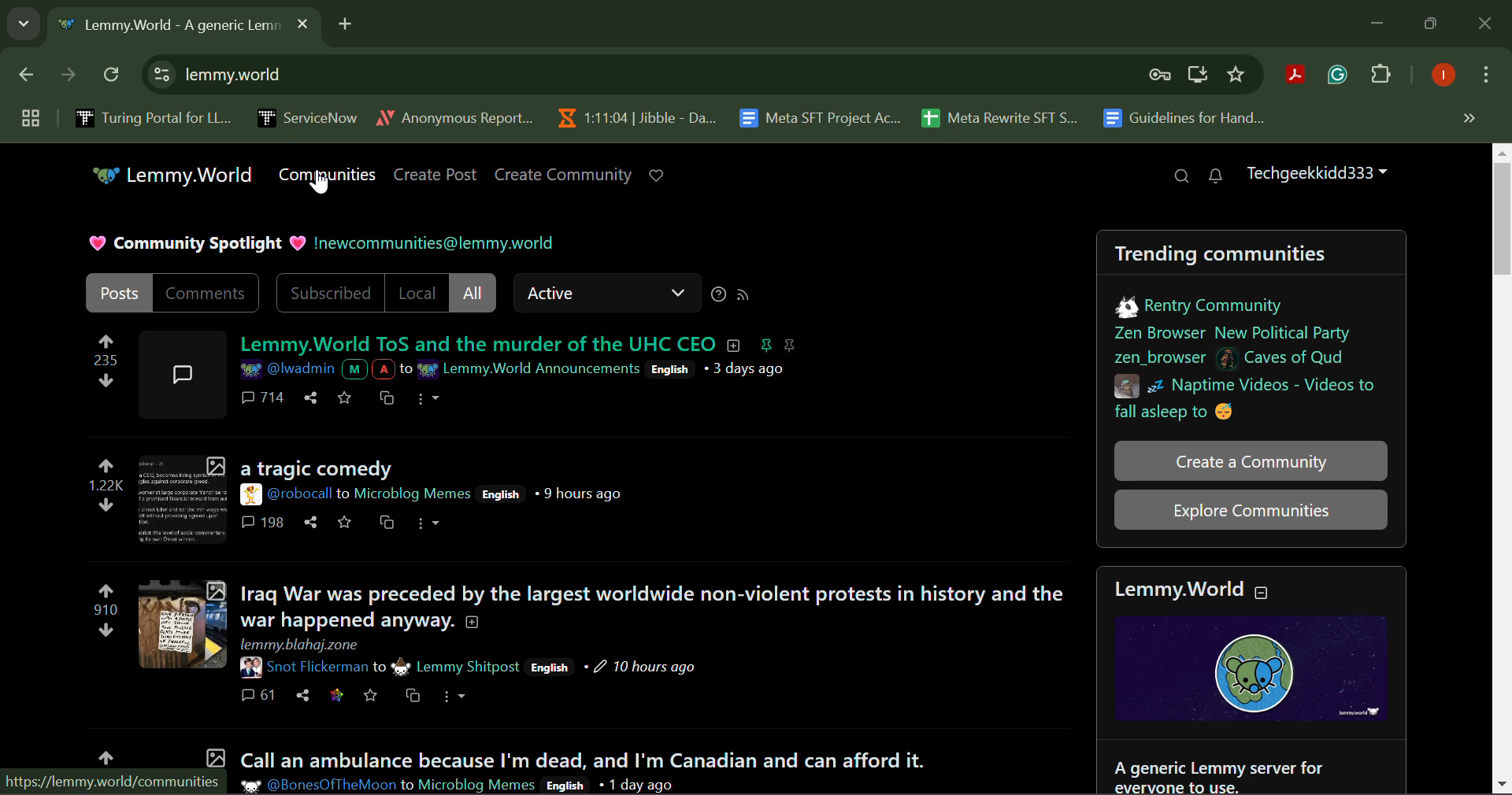 The height and width of the screenshot is (795, 1512). I want to click on Share, so click(312, 397).